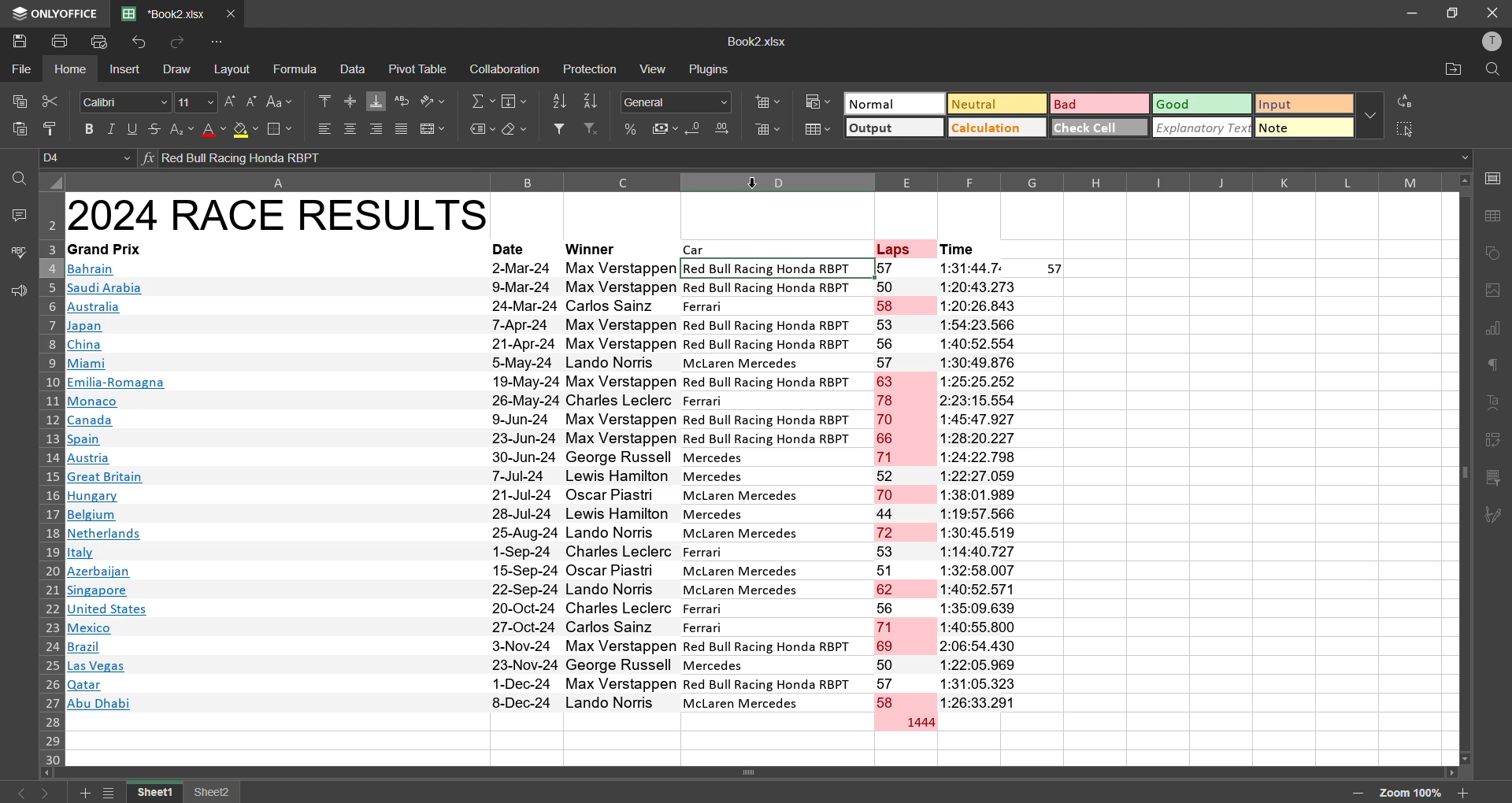 The height and width of the screenshot is (803, 1512). I want to click on merge and center, so click(432, 130).